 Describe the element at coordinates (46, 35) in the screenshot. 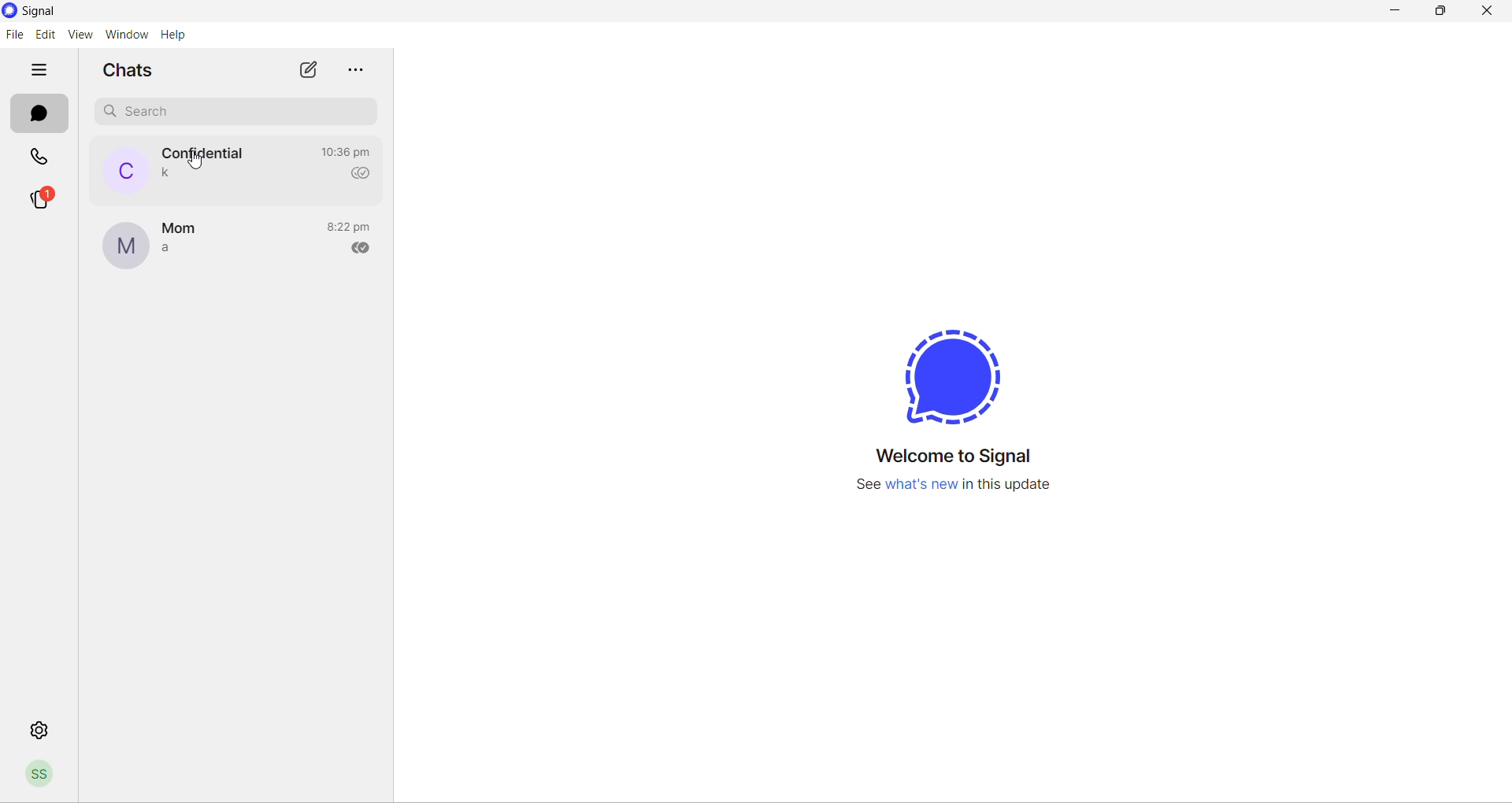

I see `edit` at that location.